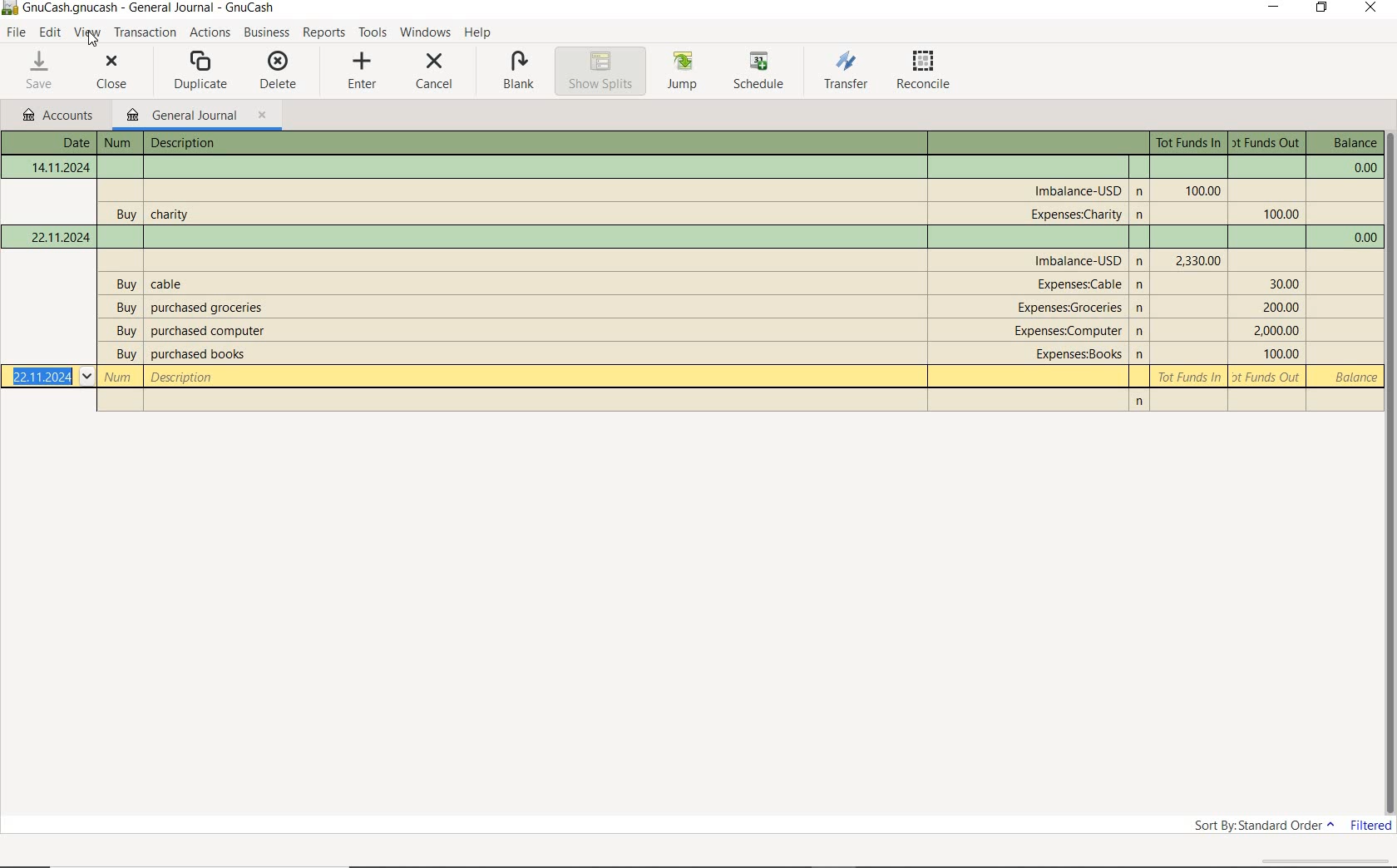 Image resolution: width=1397 pixels, height=868 pixels. I want to click on account, so click(1080, 284).